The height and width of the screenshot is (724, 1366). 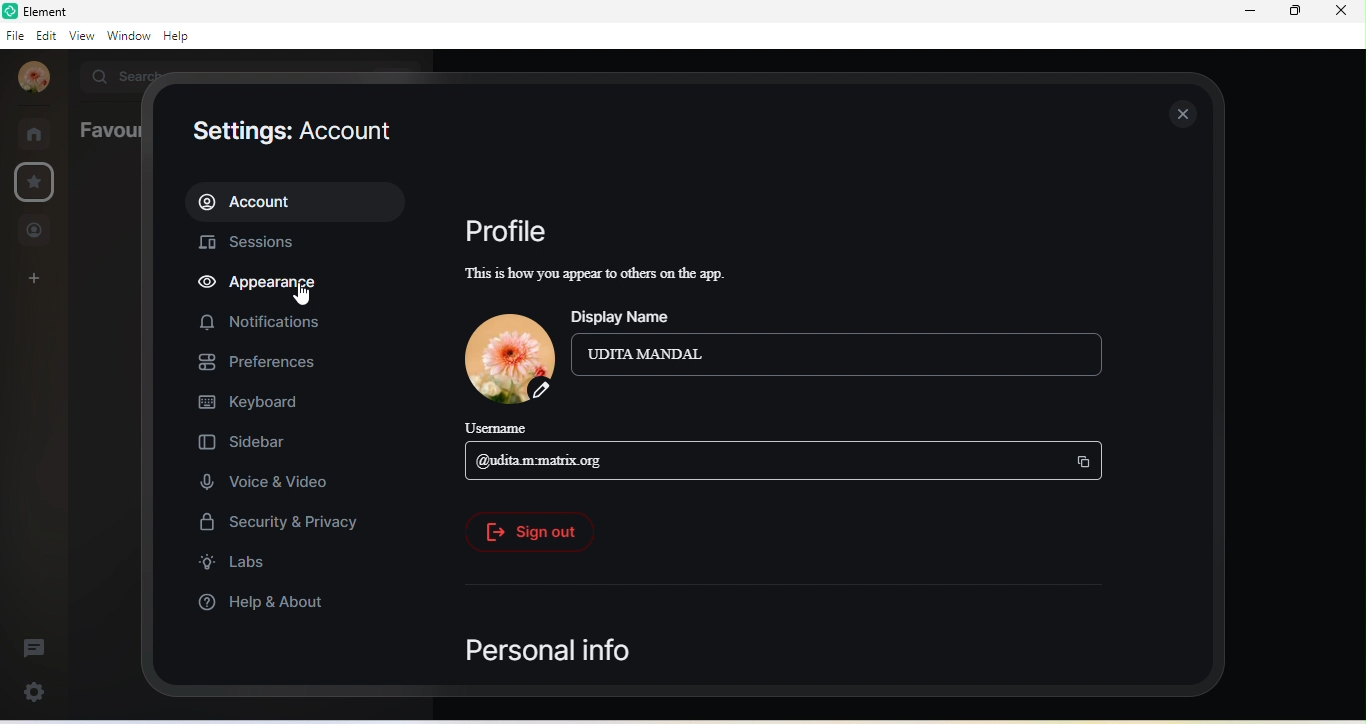 I want to click on voice and video, so click(x=270, y=479).